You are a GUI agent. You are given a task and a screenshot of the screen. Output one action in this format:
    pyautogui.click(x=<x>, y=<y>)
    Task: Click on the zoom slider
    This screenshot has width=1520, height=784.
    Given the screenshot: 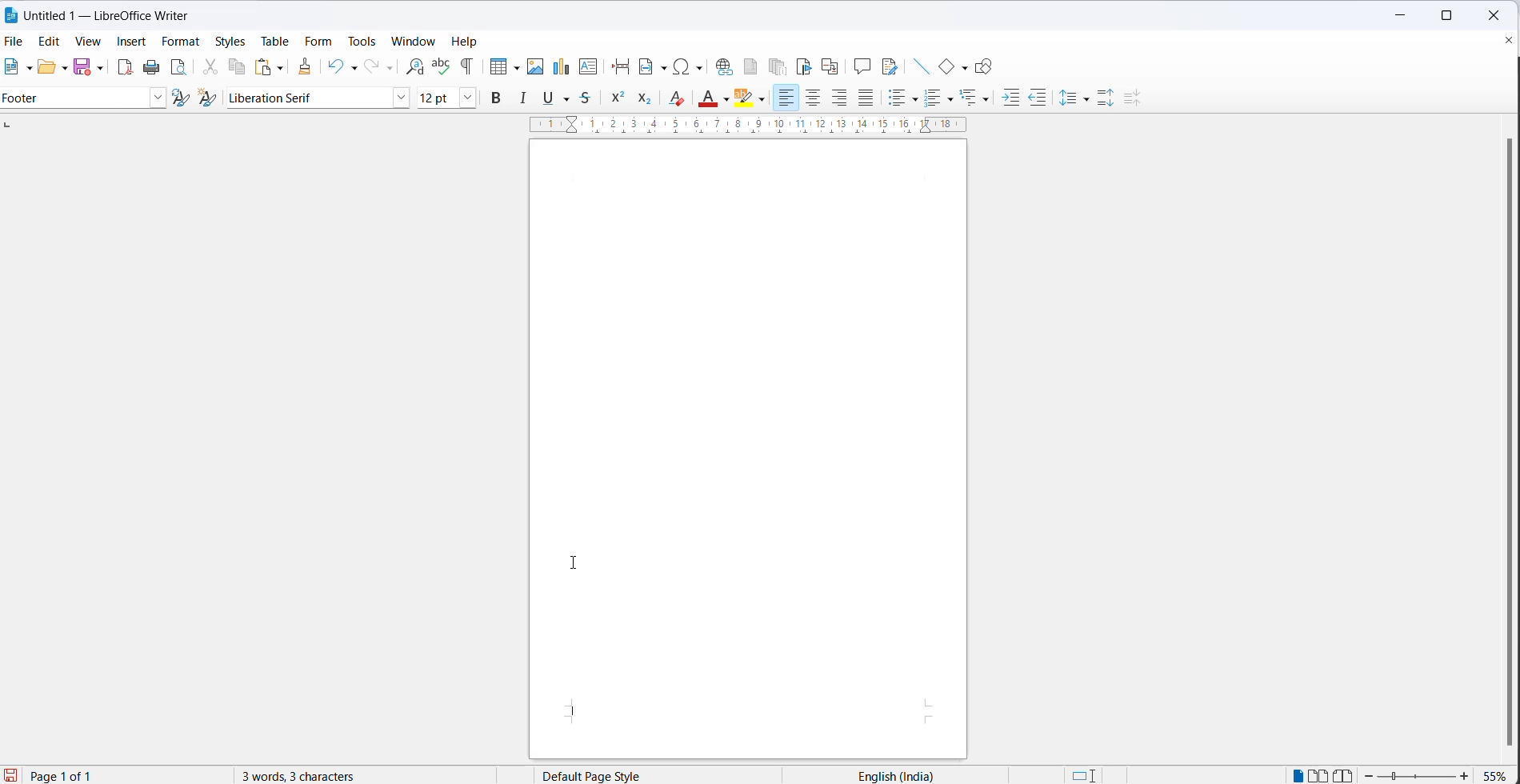 What is the action you would take?
    pyautogui.click(x=1417, y=777)
    